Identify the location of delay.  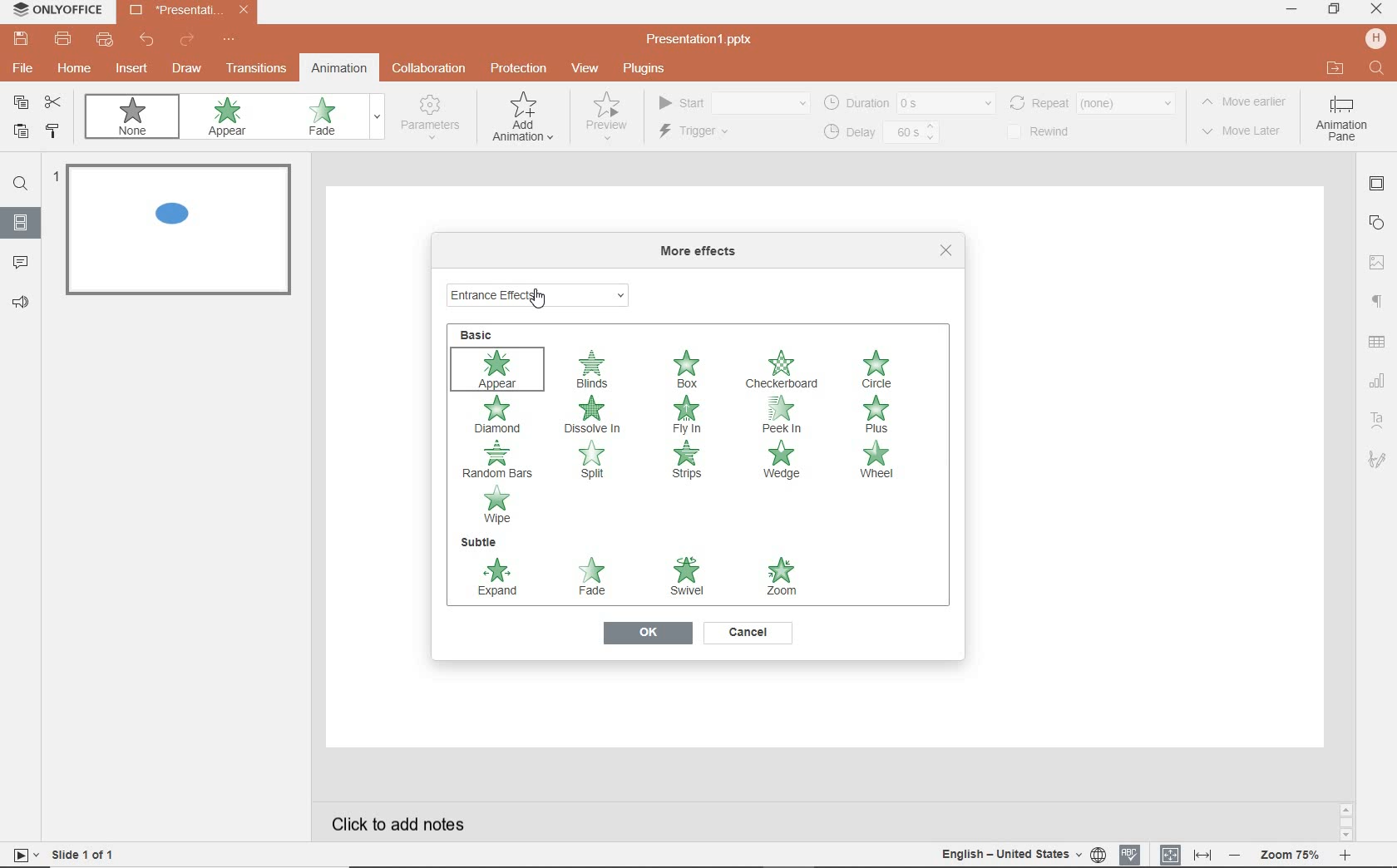
(880, 133).